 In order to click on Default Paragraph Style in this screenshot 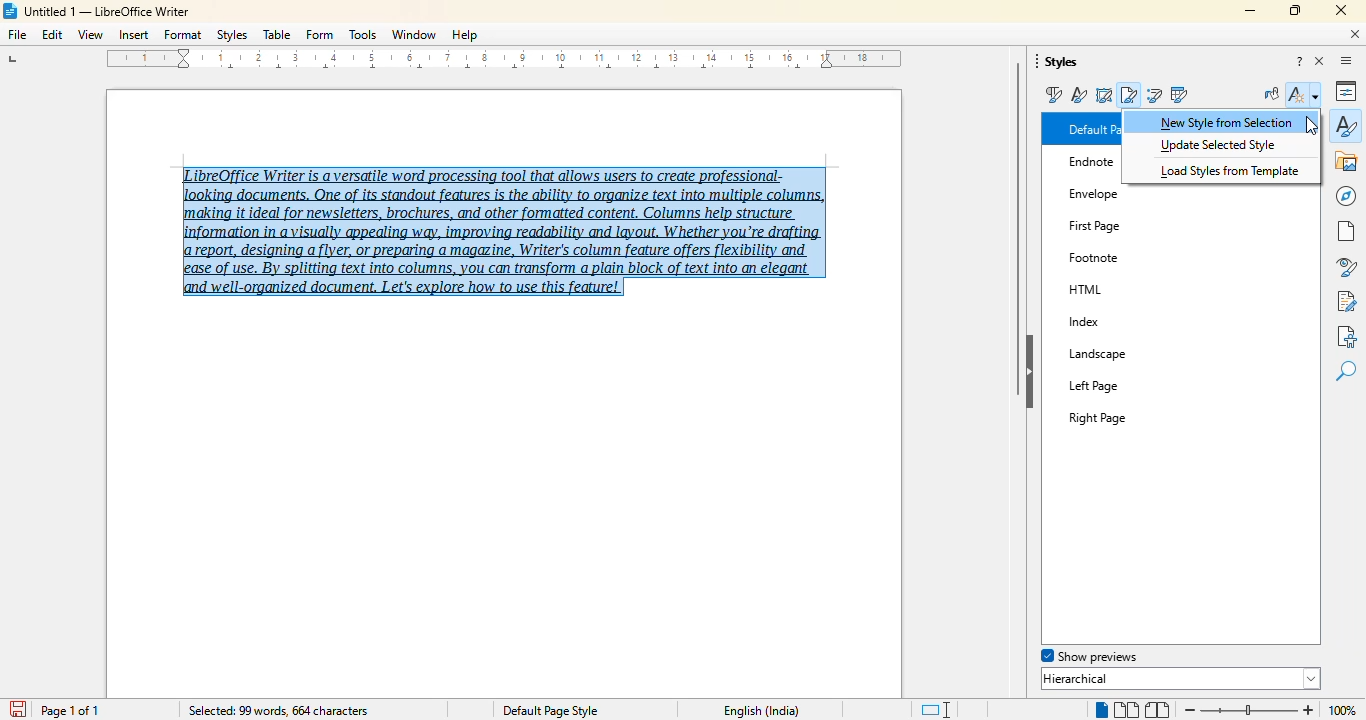, I will do `click(1091, 129)`.